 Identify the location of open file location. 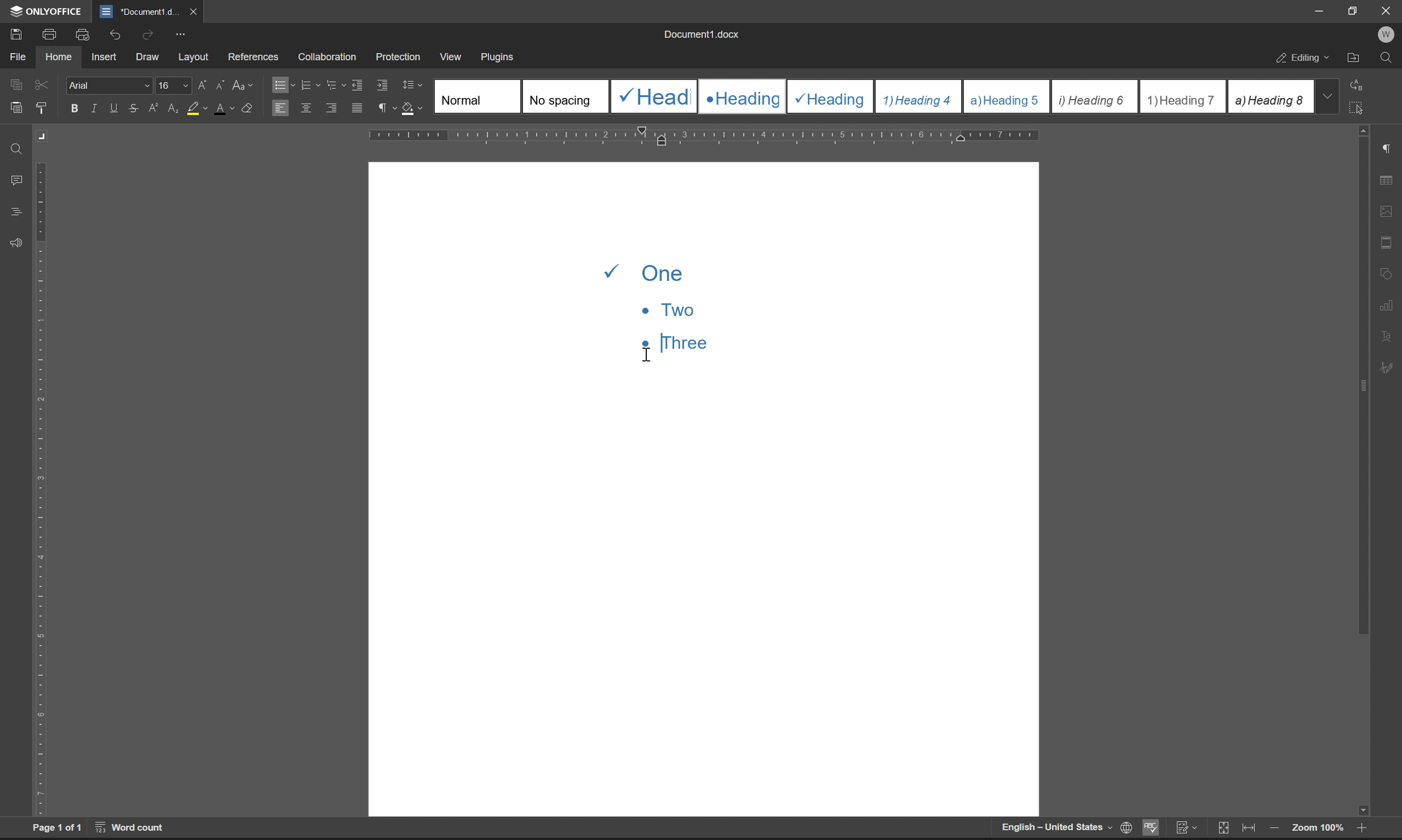
(1354, 59).